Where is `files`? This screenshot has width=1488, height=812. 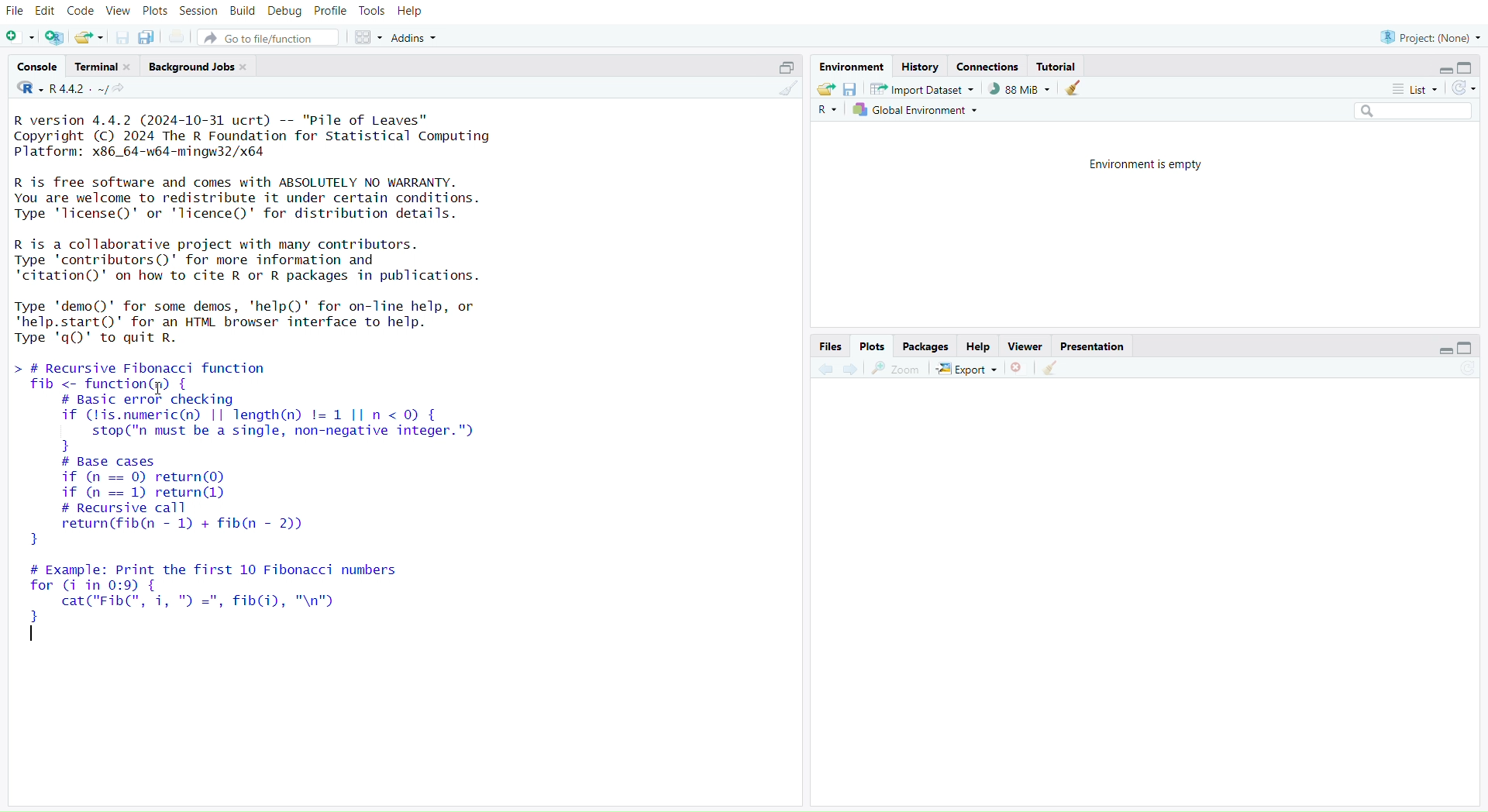 files is located at coordinates (828, 347).